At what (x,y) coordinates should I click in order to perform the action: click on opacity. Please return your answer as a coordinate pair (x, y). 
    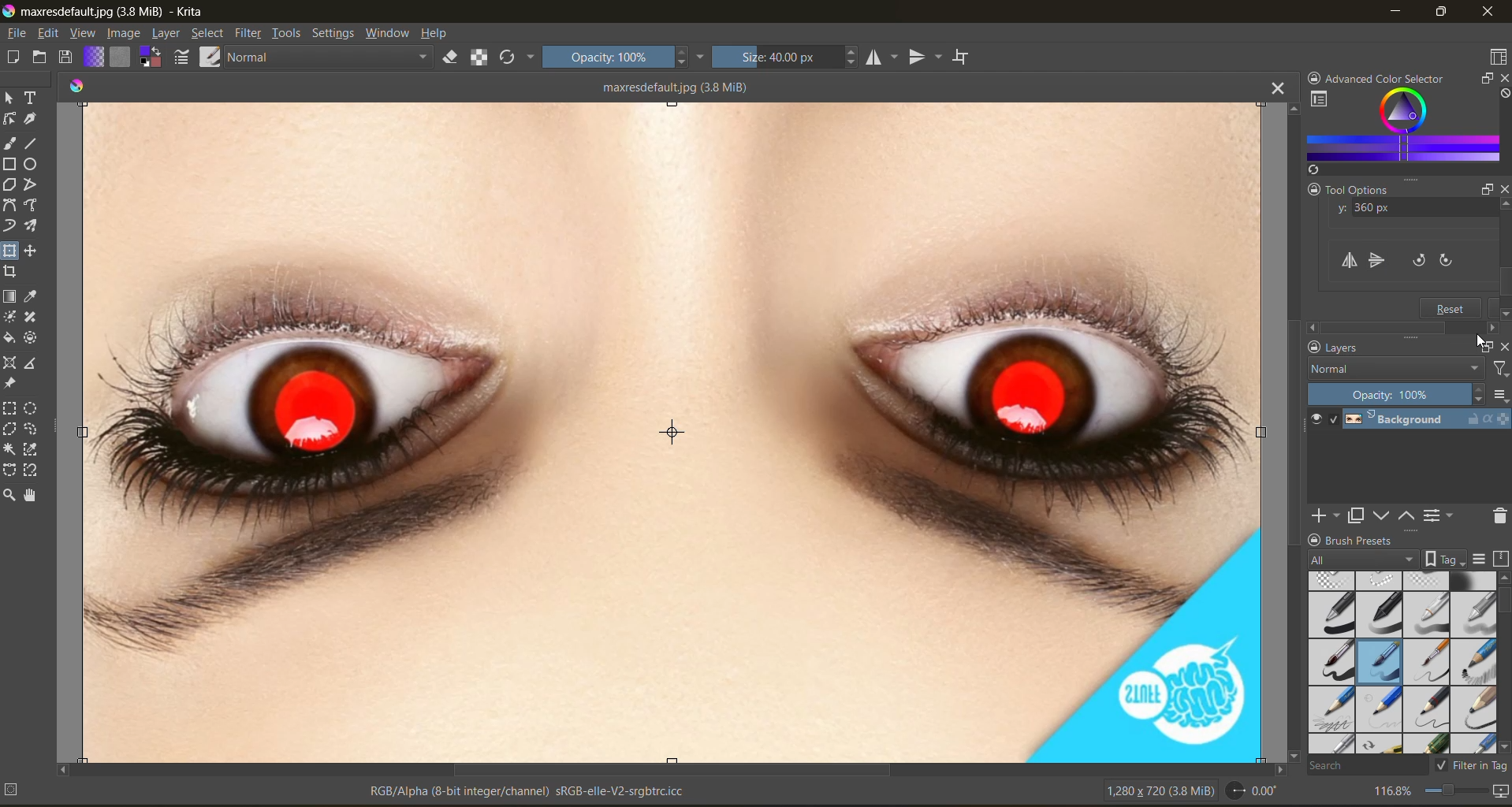
    Looking at the image, I should click on (622, 59).